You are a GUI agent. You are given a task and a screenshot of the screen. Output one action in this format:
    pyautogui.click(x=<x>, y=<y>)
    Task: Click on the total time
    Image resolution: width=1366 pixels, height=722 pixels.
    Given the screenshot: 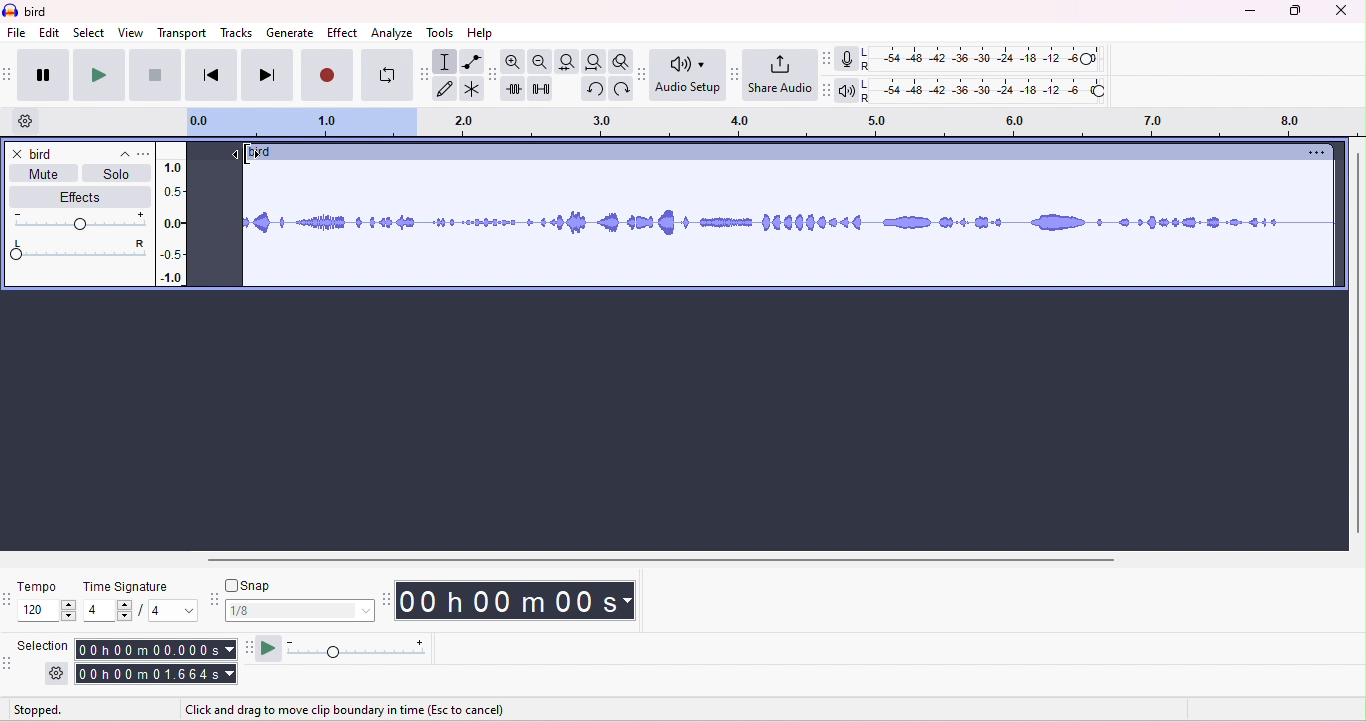 What is the action you would take?
    pyautogui.click(x=156, y=675)
    